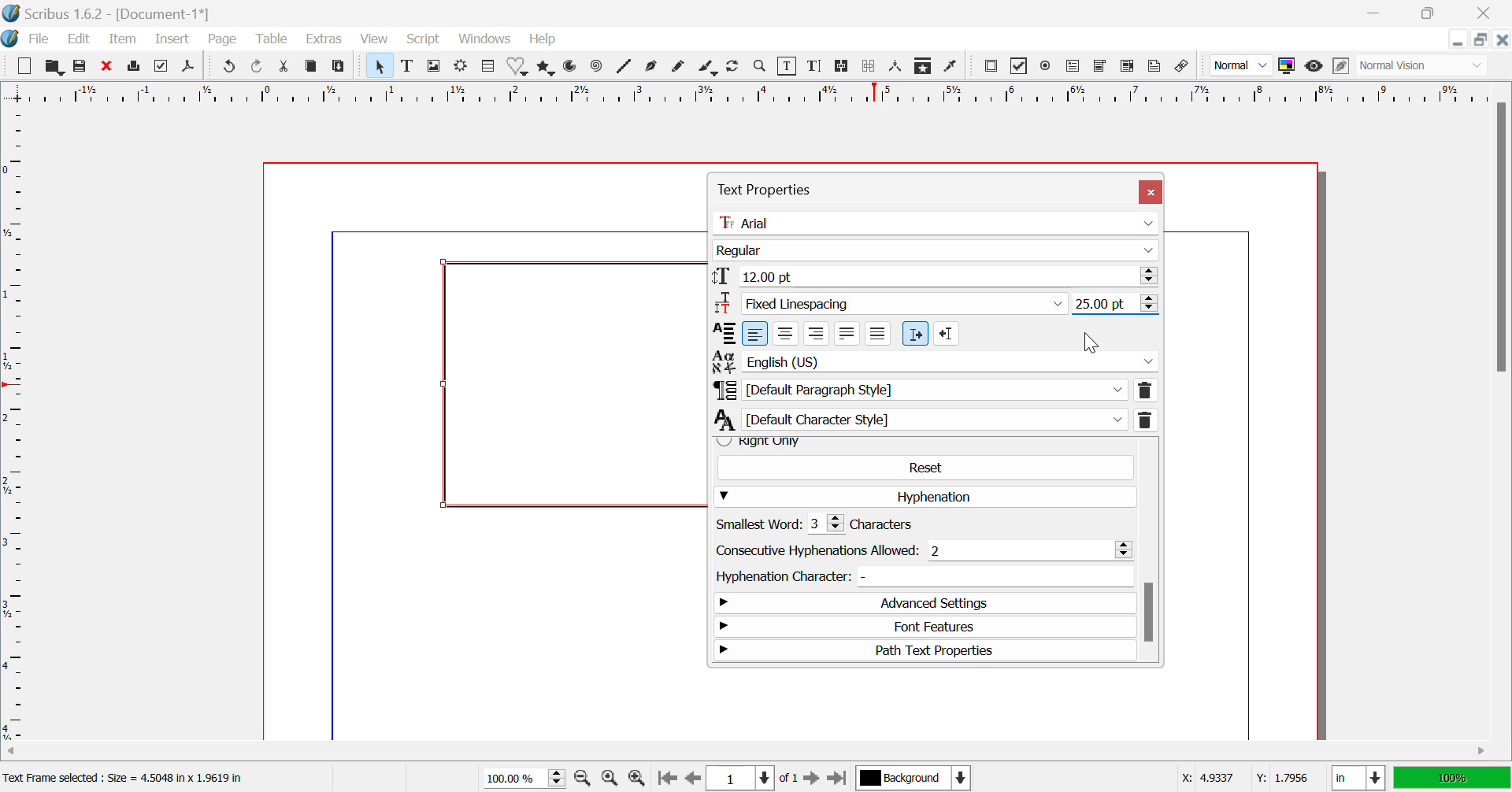 This screenshot has width=1512, height=792. What do you see at coordinates (1149, 552) in the screenshot?
I see `Scroll Bar` at bounding box center [1149, 552].